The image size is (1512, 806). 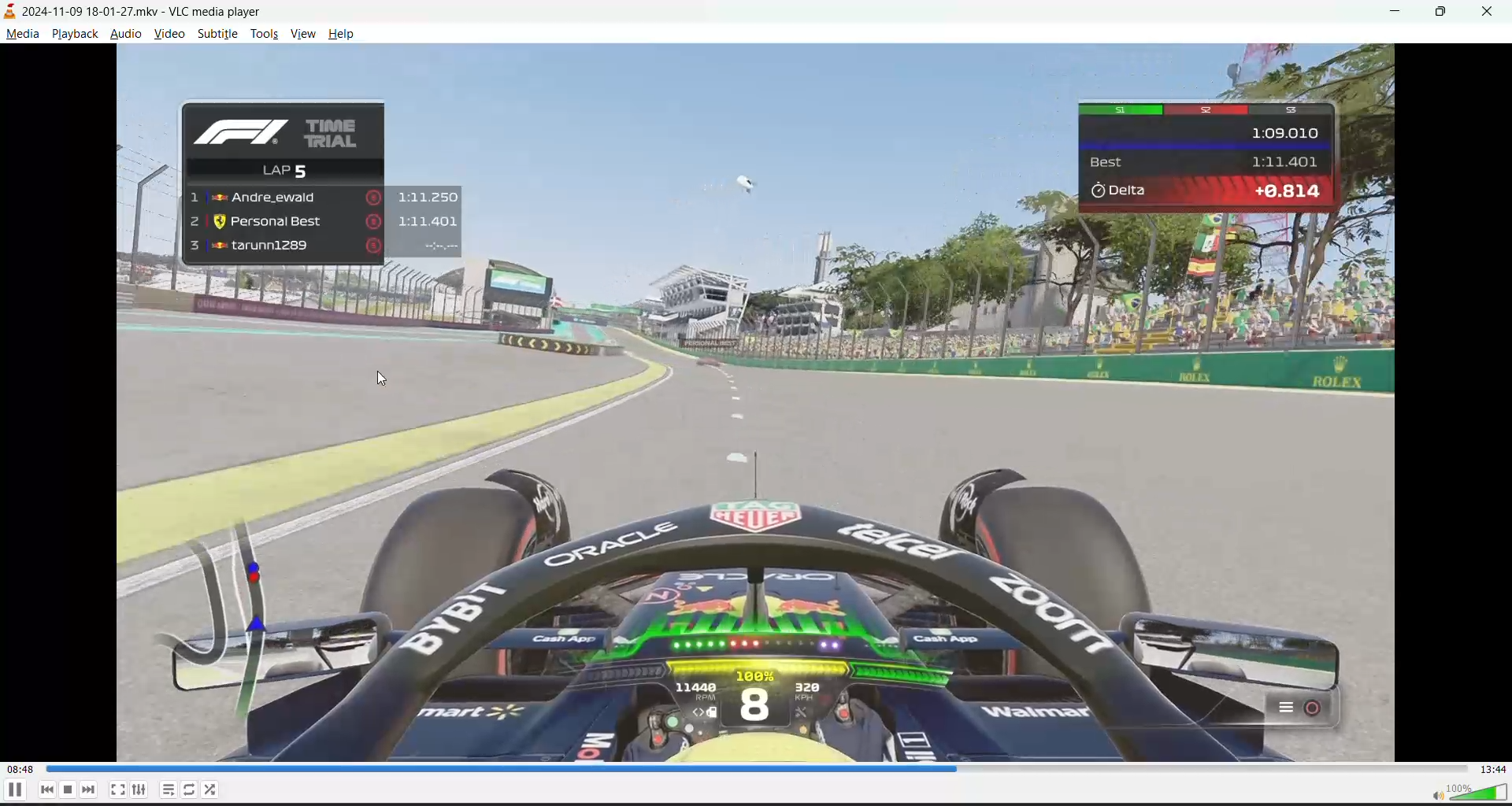 I want to click on track slider, so click(x=750, y=769).